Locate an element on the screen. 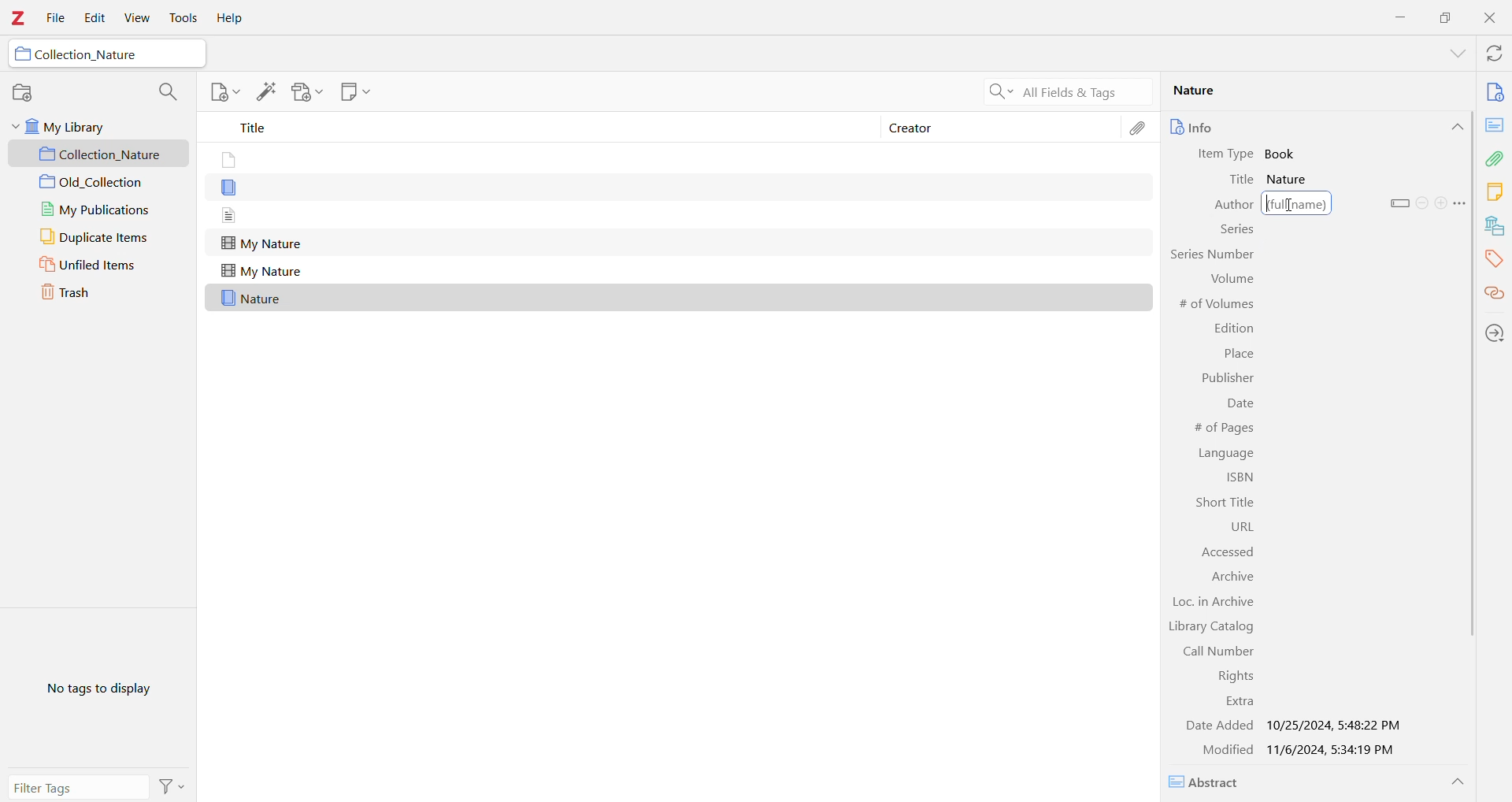 This screenshot has width=1512, height=802. Attachments is located at coordinates (1495, 158).